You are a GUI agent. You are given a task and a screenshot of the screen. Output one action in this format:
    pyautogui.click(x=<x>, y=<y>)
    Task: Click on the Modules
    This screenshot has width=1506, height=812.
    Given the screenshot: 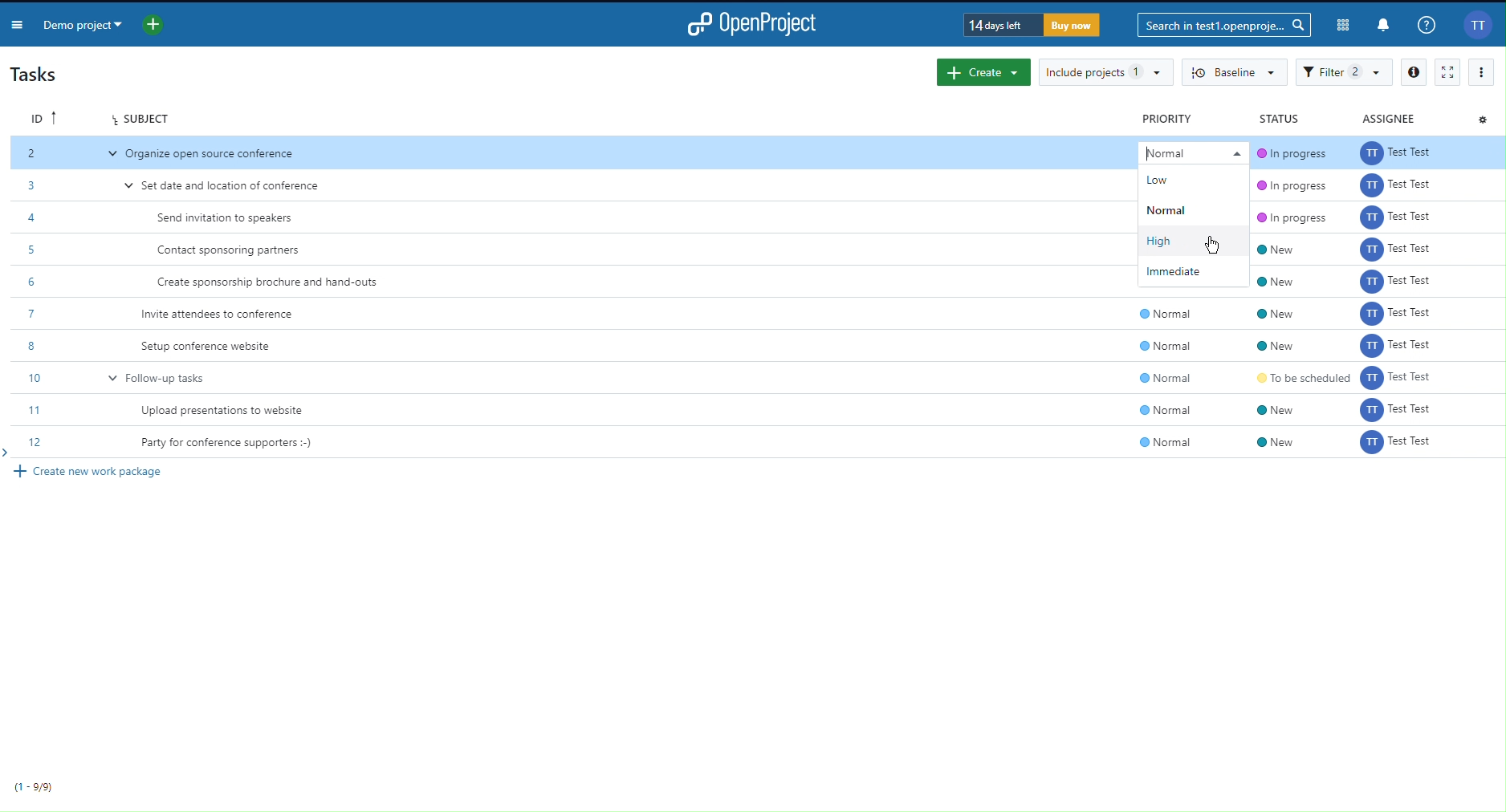 What is the action you would take?
    pyautogui.click(x=1344, y=26)
    